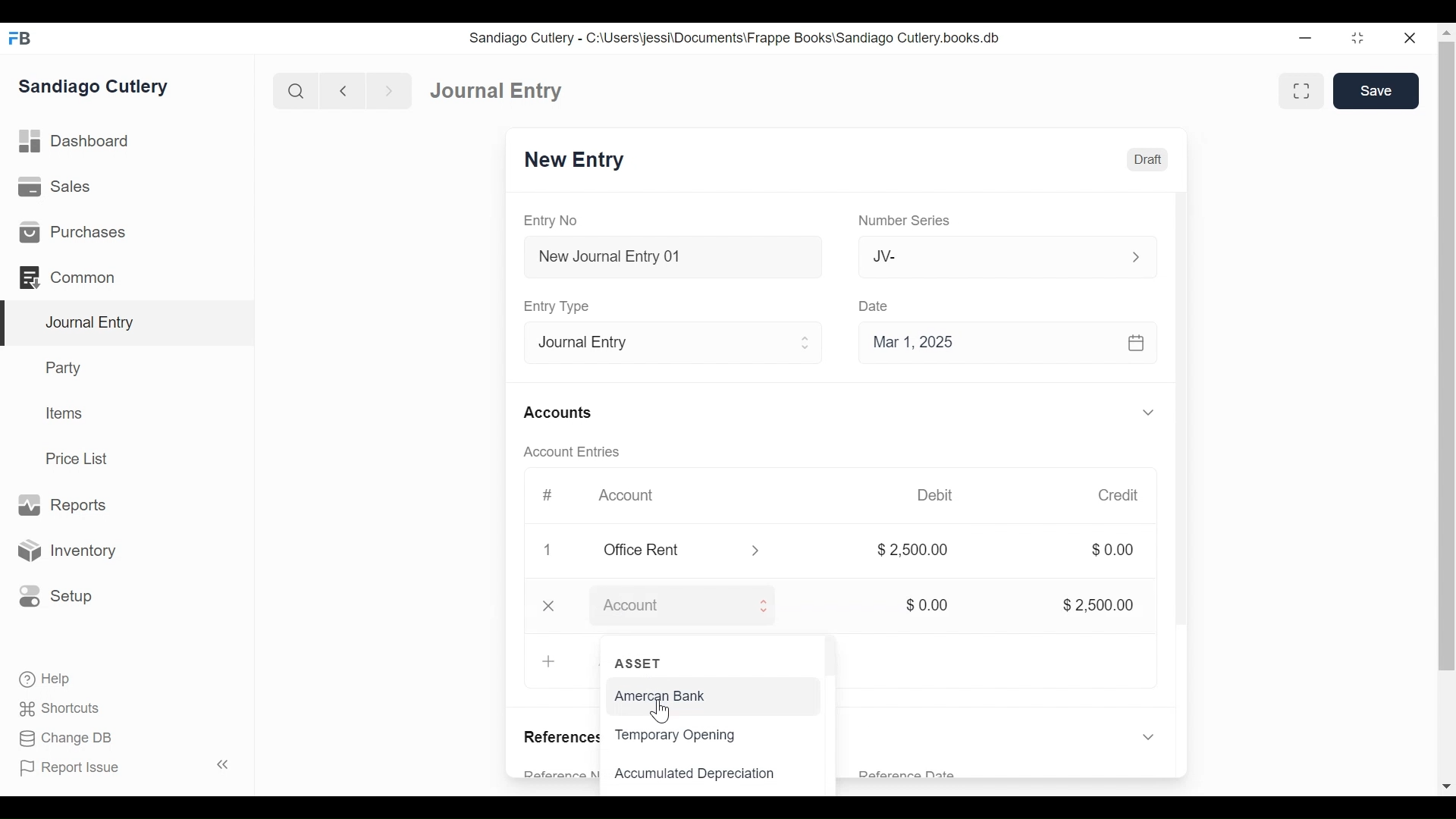  Describe the element at coordinates (52, 709) in the screenshot. I see `Shortcuts` at that location.